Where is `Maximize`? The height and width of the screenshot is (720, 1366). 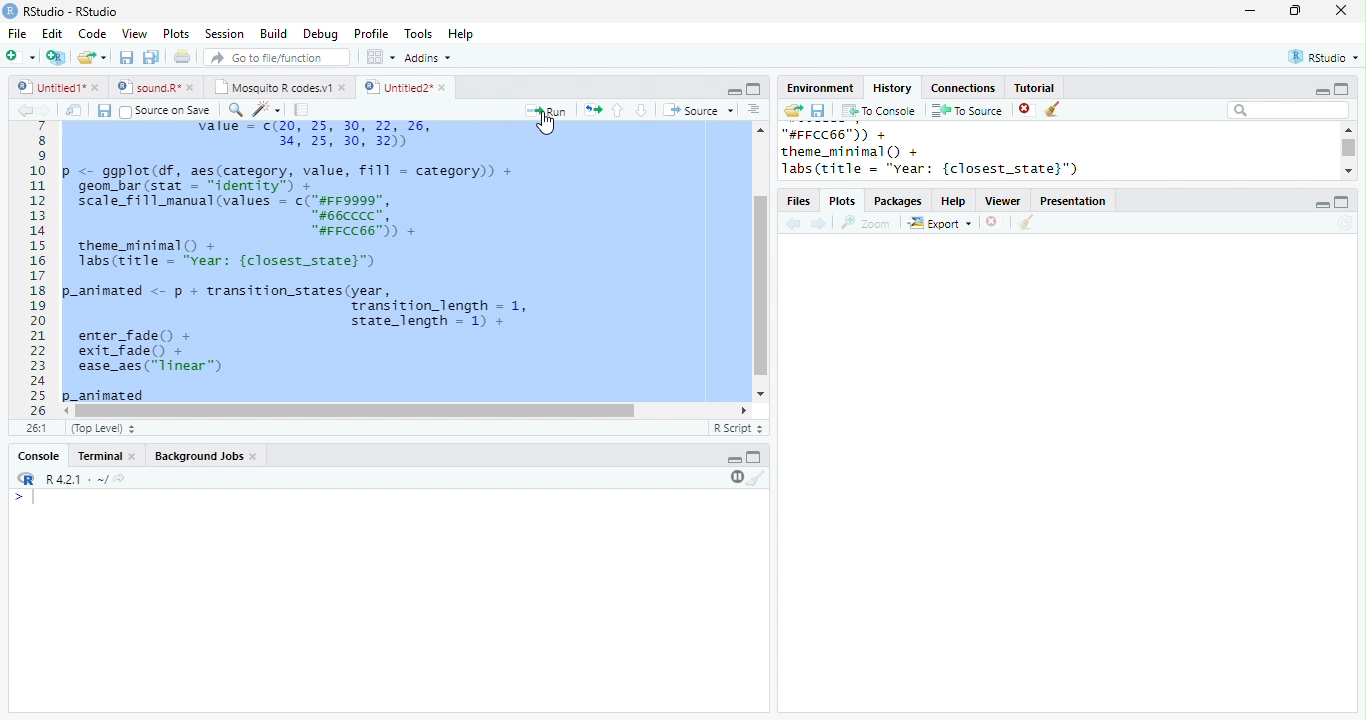
Maximize is located at coordinates (754, 457).